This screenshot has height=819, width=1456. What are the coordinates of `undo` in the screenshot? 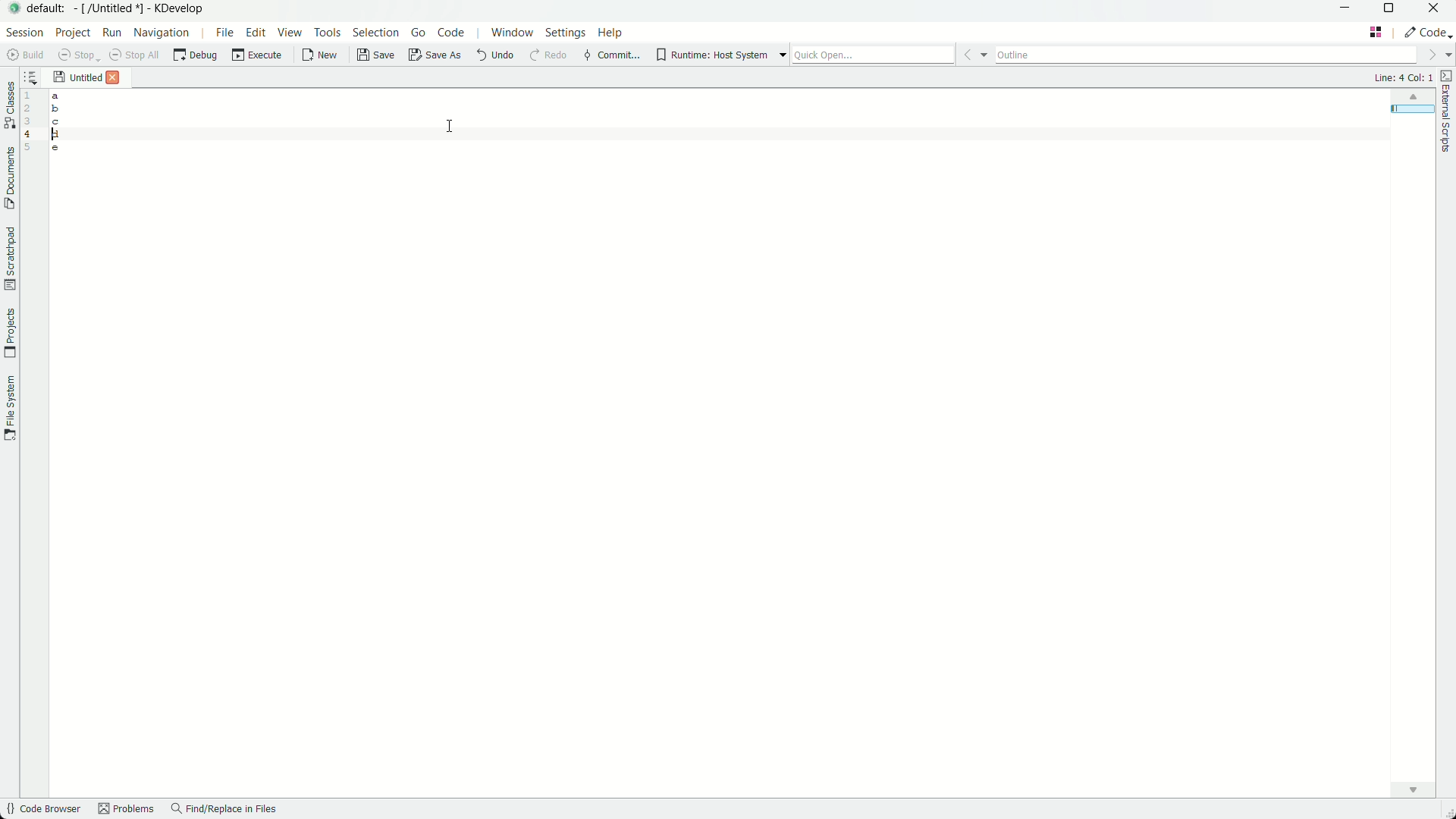 It's located at (494, 58).